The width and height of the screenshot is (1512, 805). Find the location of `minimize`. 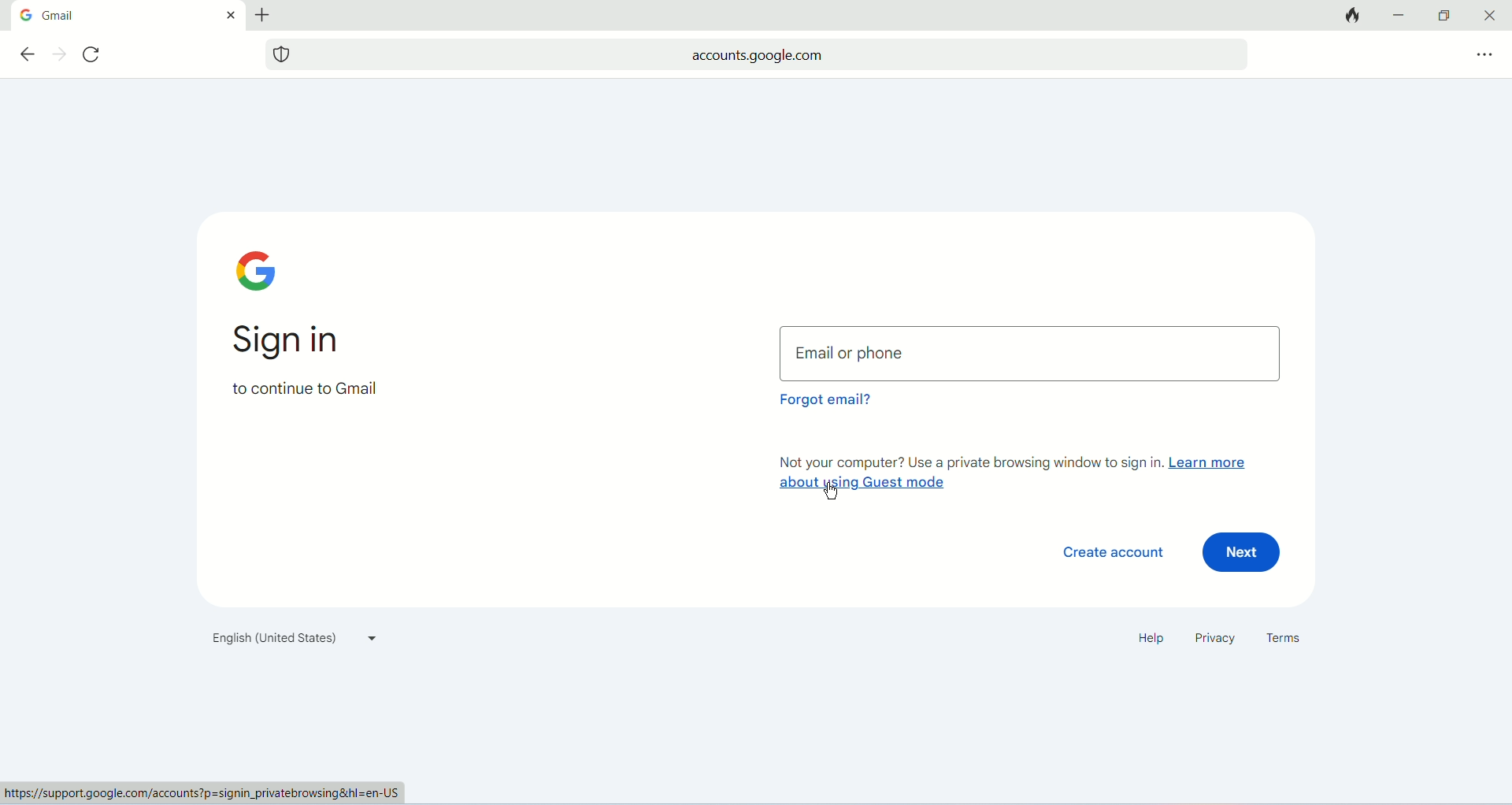

minimize is located at coordinates (1401, 14).